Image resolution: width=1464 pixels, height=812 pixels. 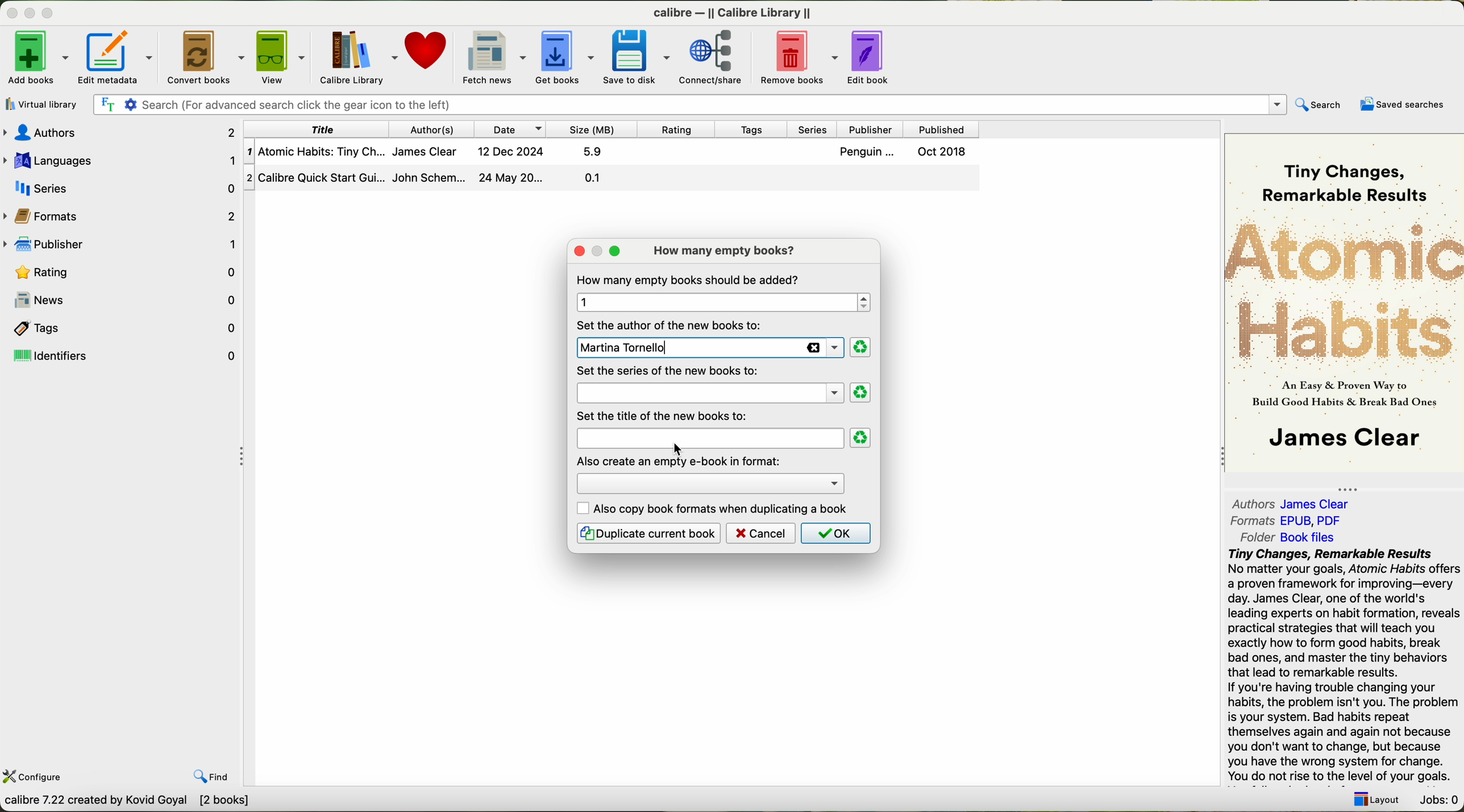 What do you see at coordinates (203, 56) in the screenshot?
I see `convert books` at bounding box center [203, 56].